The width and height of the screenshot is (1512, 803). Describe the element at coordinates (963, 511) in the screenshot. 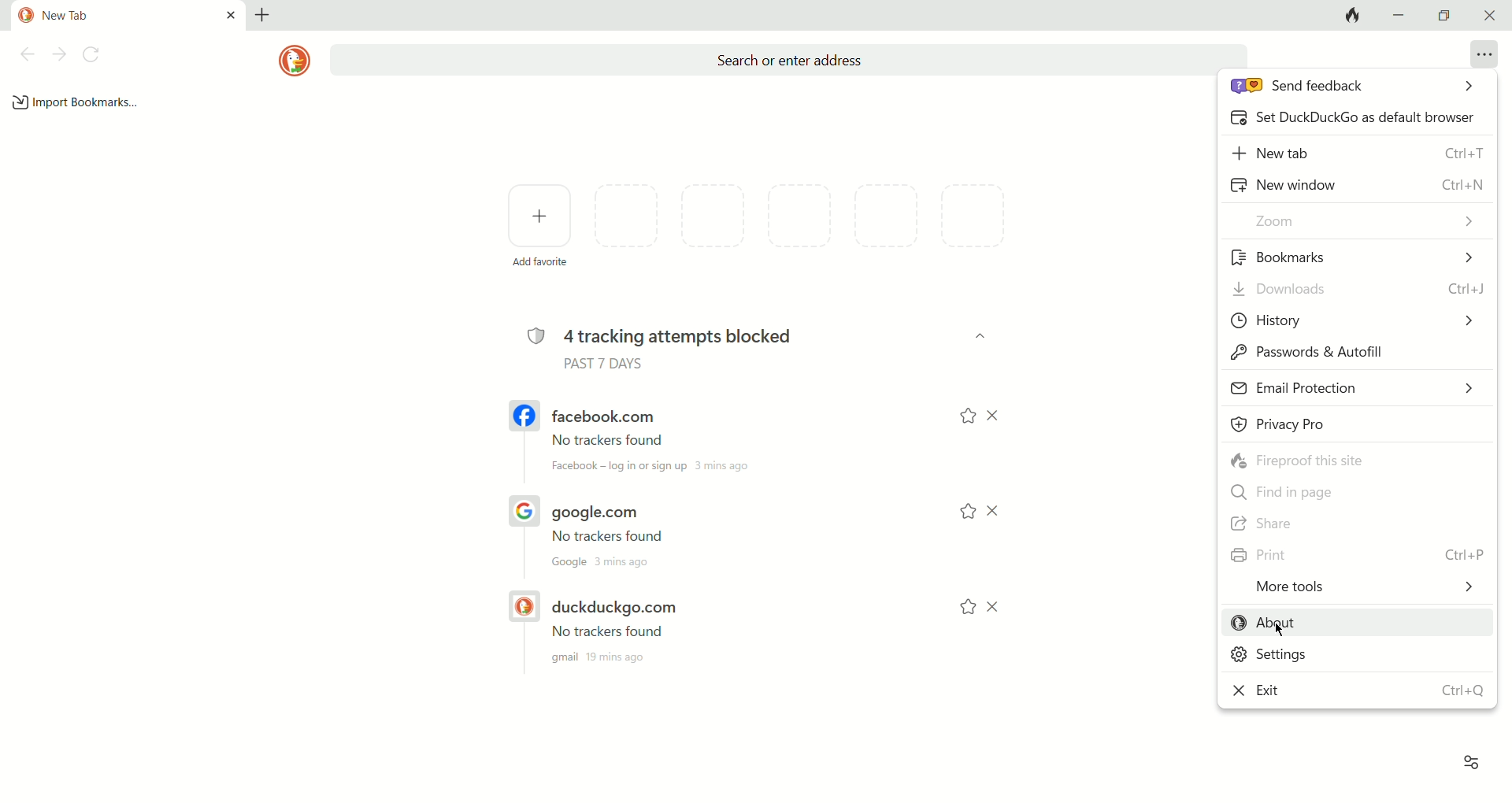

I see `add to favorites` at that location.